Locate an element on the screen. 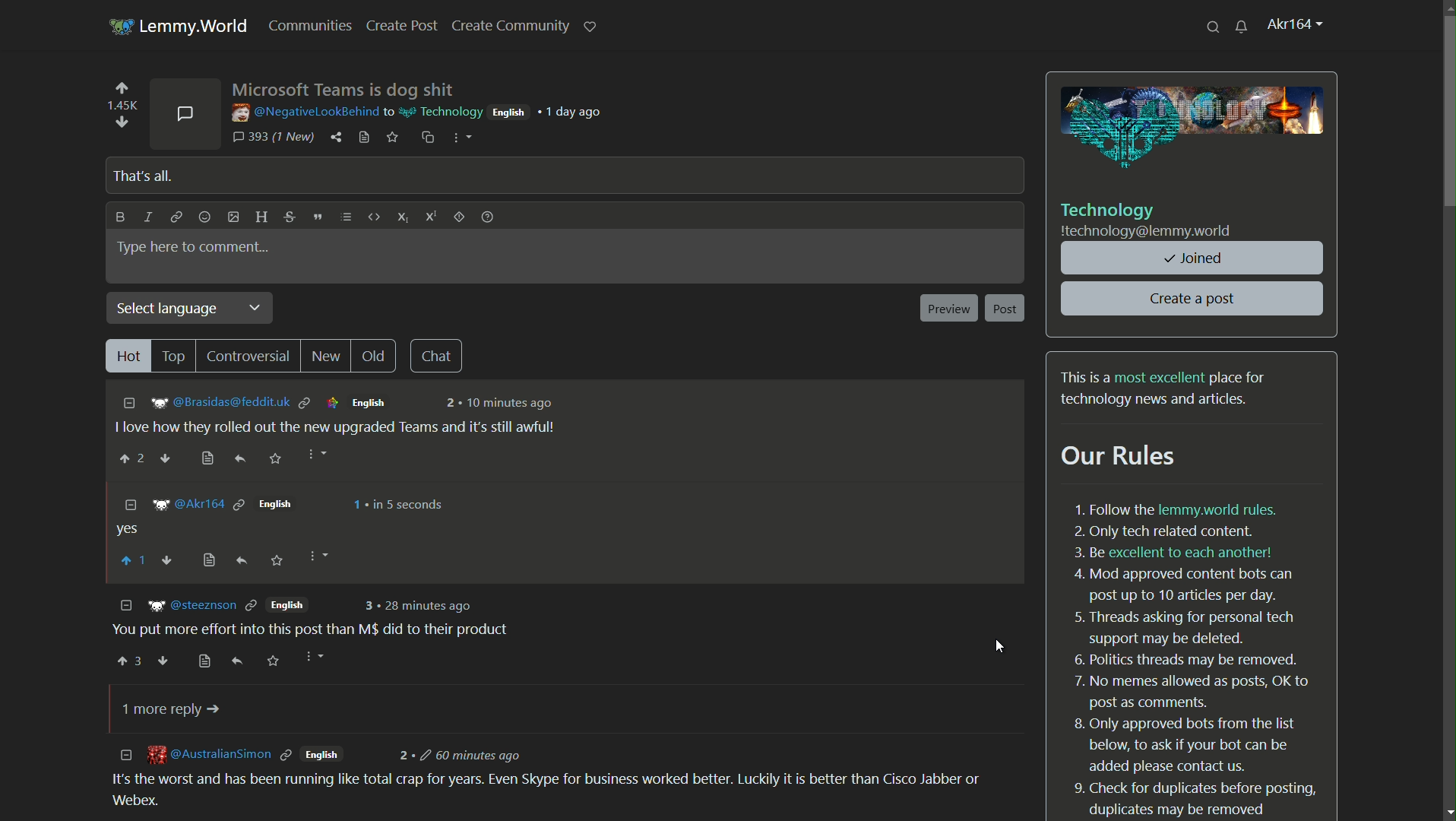  controversial is located at coordinates (249, 357).